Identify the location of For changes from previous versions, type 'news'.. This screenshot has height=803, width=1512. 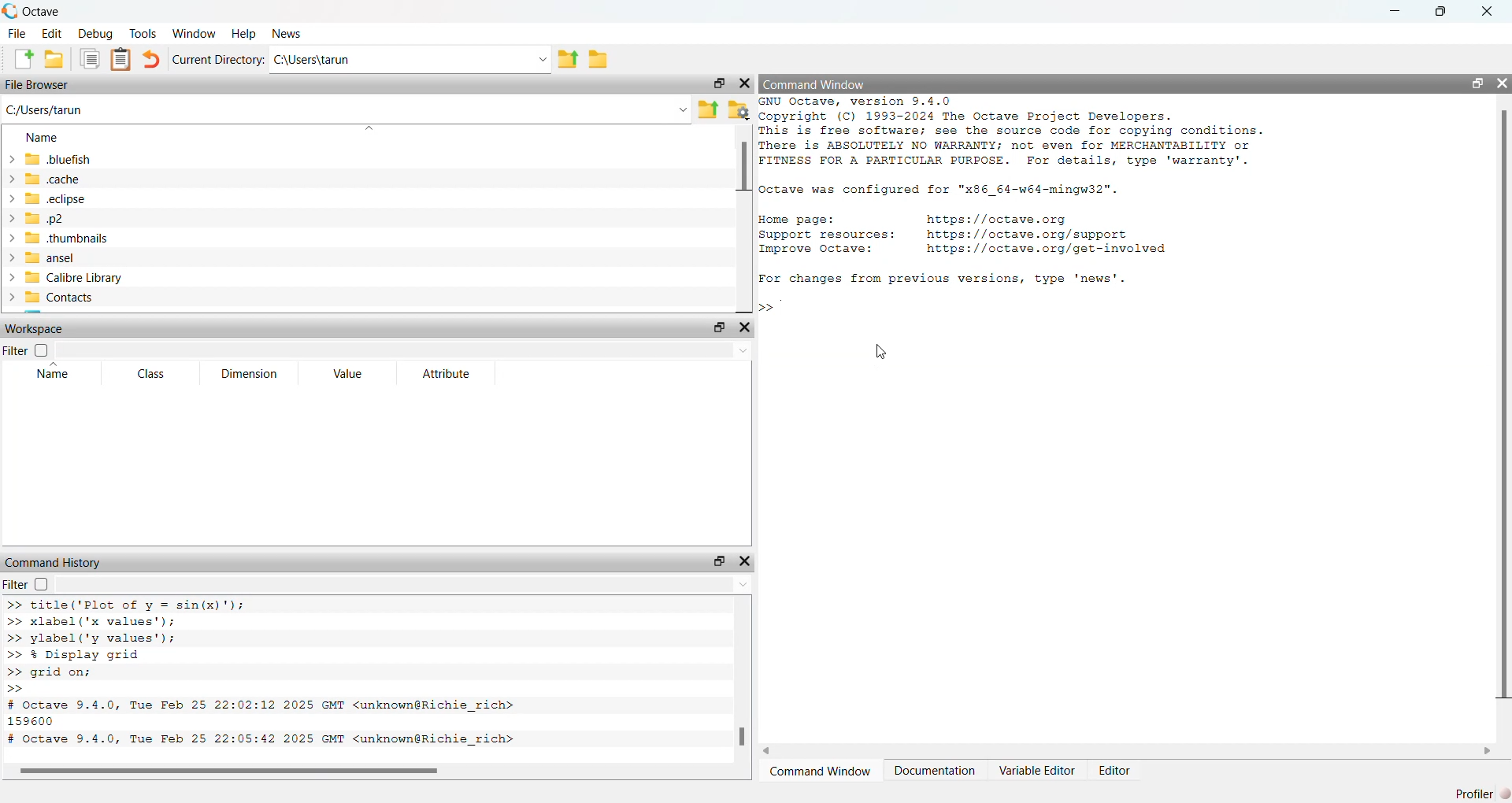
(944, 279).